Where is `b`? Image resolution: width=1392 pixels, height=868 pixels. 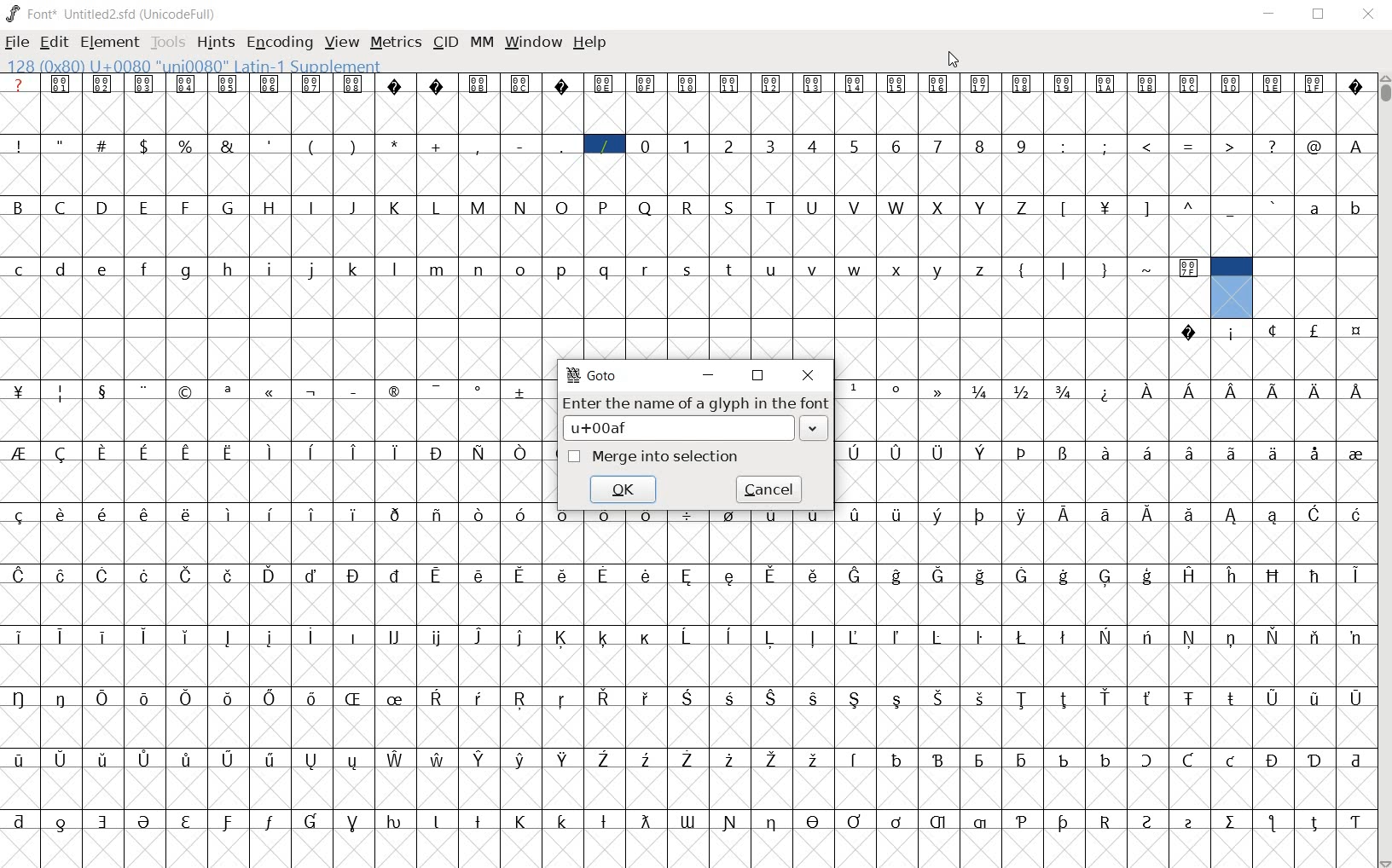
b is located at coordinates (1354, 207).